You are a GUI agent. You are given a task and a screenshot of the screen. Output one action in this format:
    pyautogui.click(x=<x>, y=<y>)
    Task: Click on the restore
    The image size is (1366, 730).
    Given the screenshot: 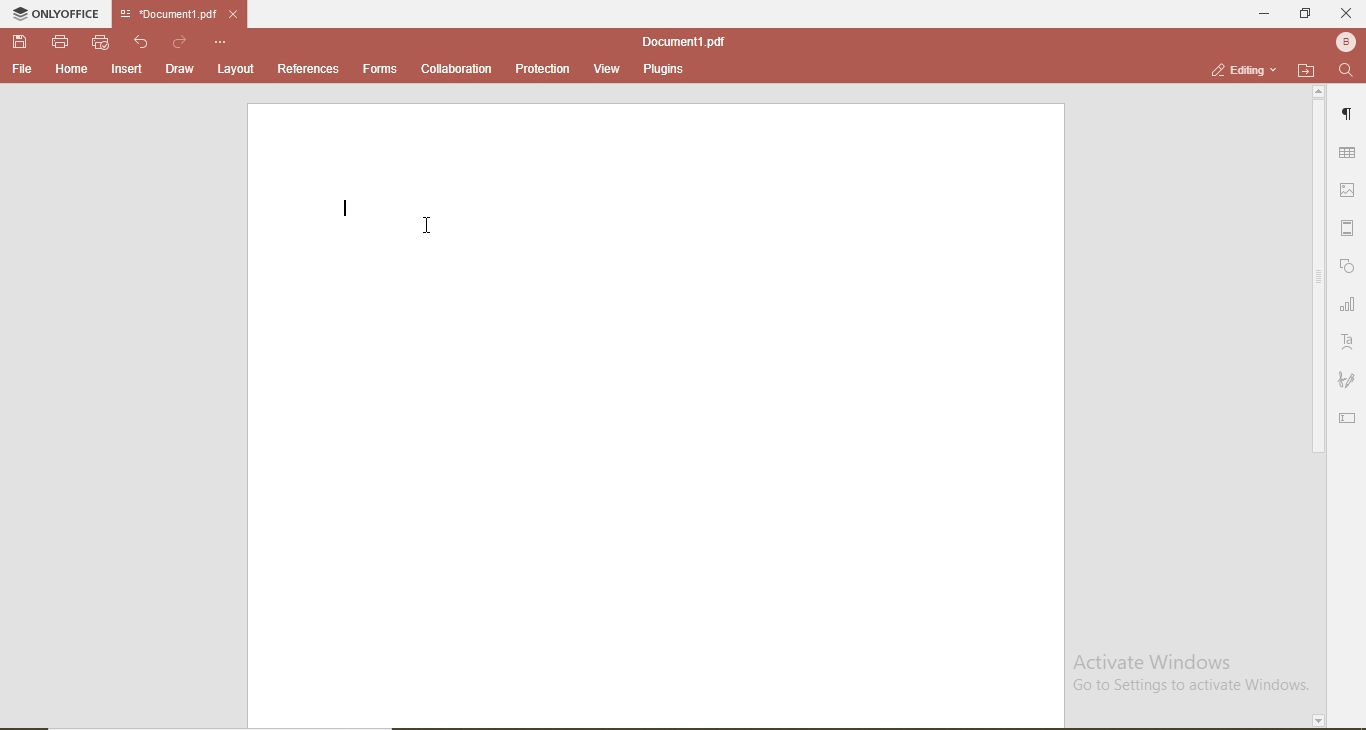 What is the action you would take?
    pyautogui.click(x=1308, y=16)
    